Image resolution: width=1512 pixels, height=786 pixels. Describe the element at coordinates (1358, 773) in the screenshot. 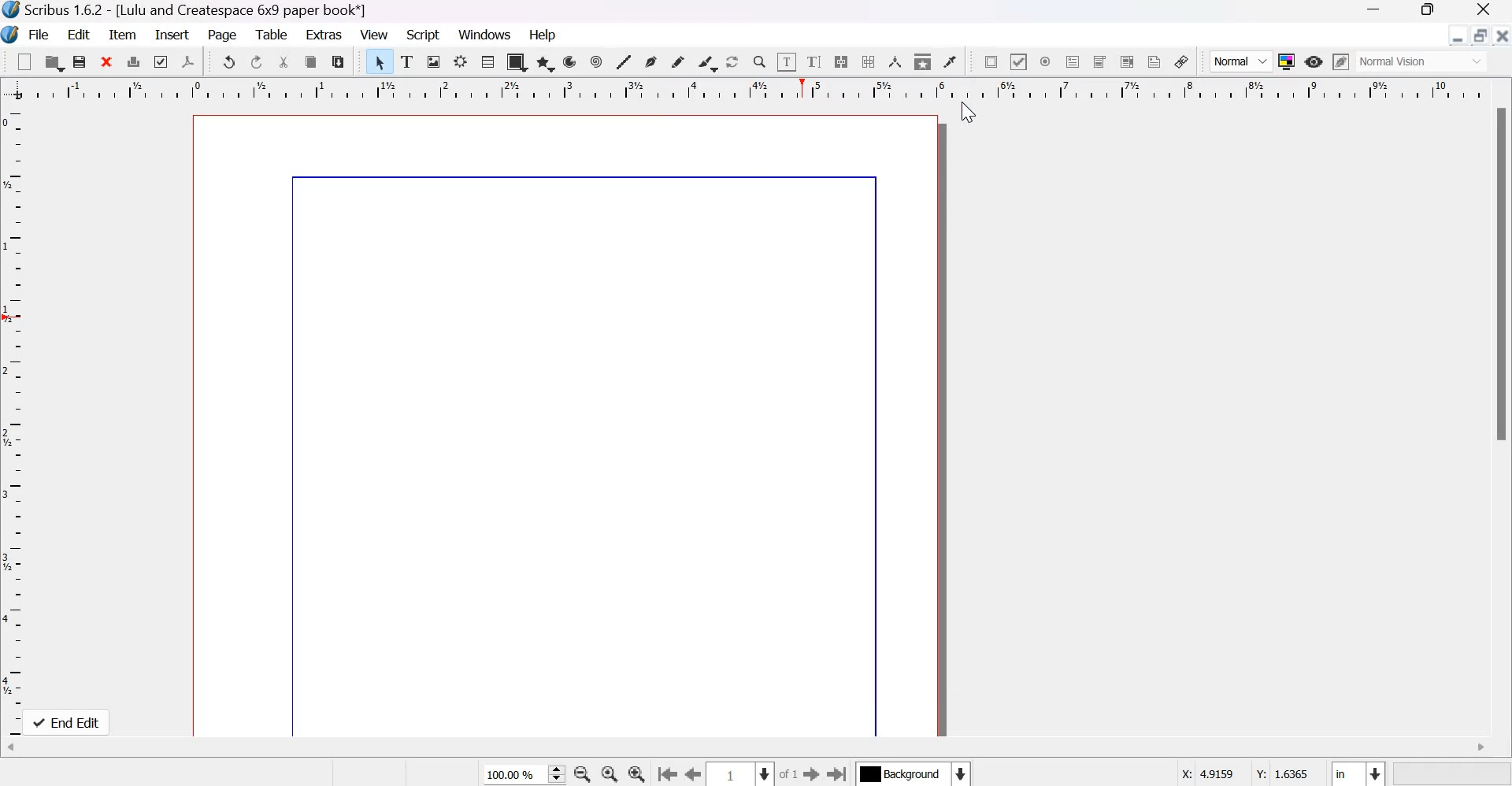

I see `Select the current unit` at that location.